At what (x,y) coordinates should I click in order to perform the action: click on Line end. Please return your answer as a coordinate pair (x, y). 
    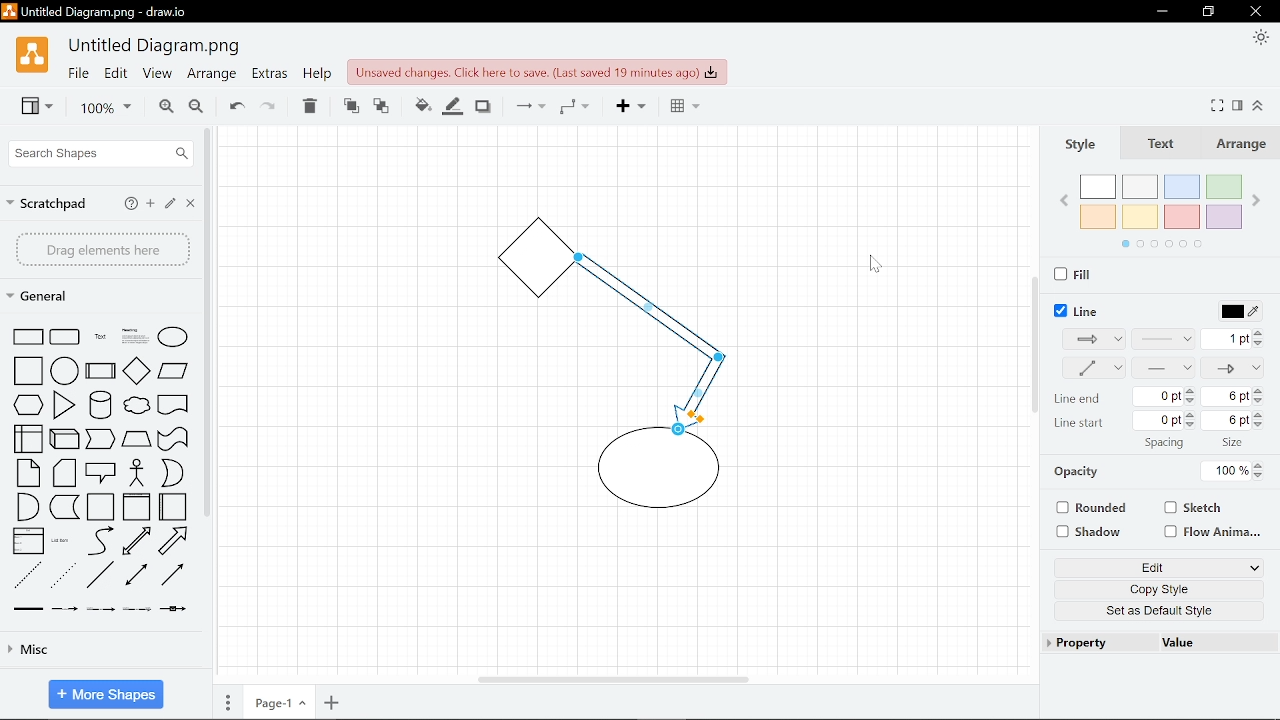
    Looking at the image, I should click on (1094, 368).